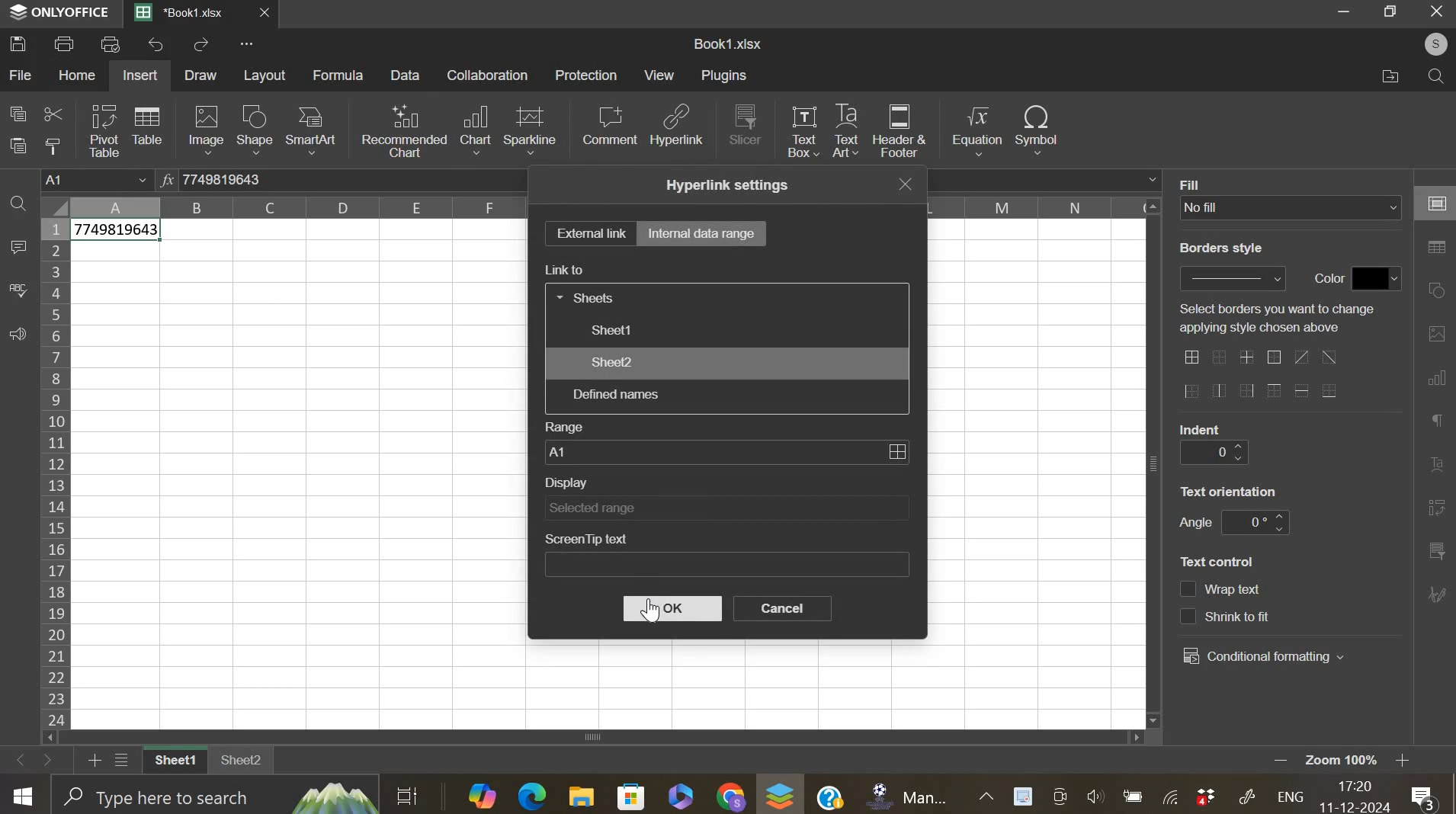 Image resolution: width=1456 pixels, height=814 pixels. What do you see at coordinates (18, 206) in the screenshot?
I see `find` at bounding box center [18, 206].